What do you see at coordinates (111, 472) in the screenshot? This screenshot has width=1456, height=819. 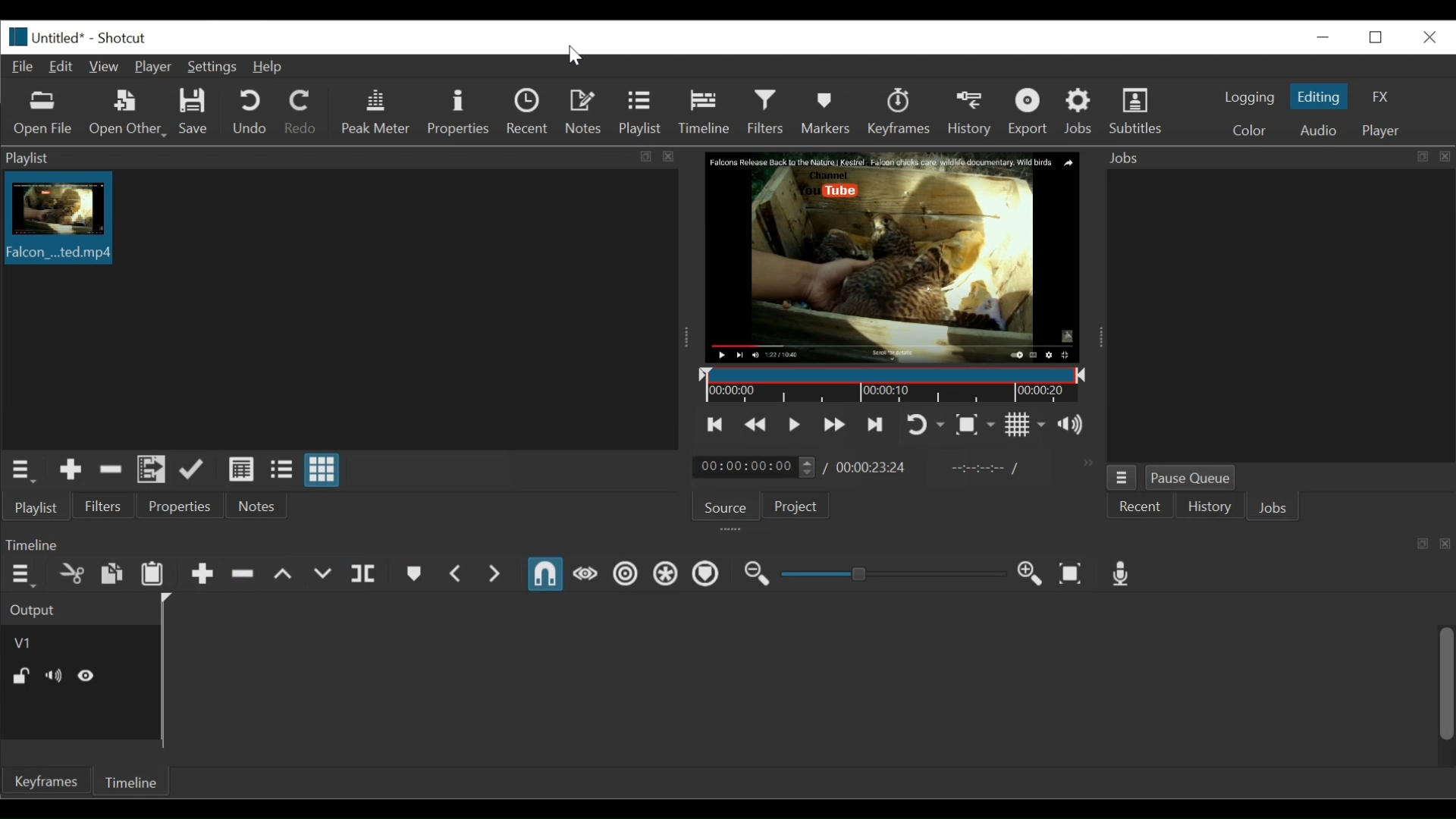 I see `Remove cut` at bounding box center [111, 472].